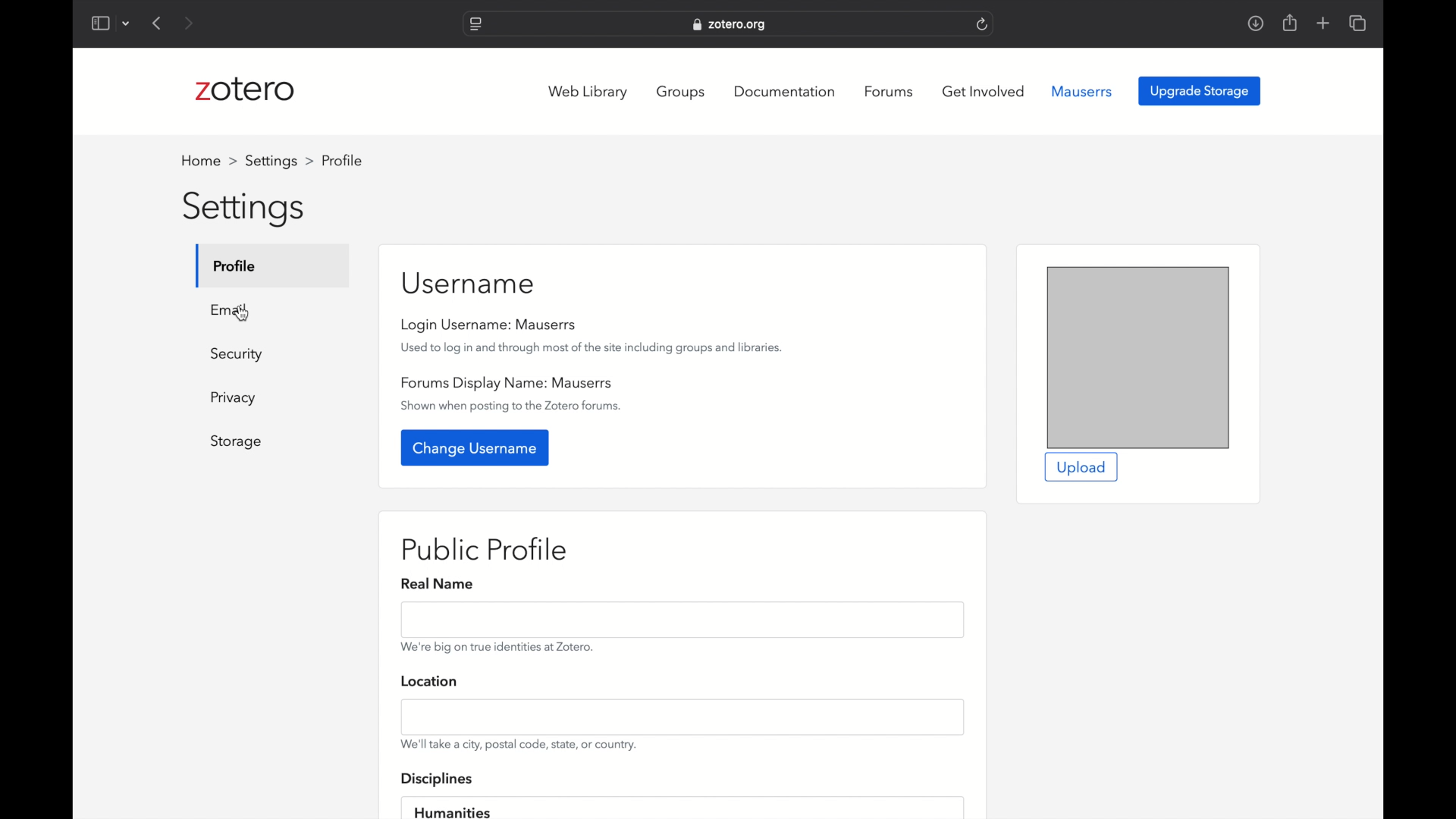  What do you see at coordinates (1137, 356) in the screenshot?
I see `preview` at bounding box center [1137, 356].